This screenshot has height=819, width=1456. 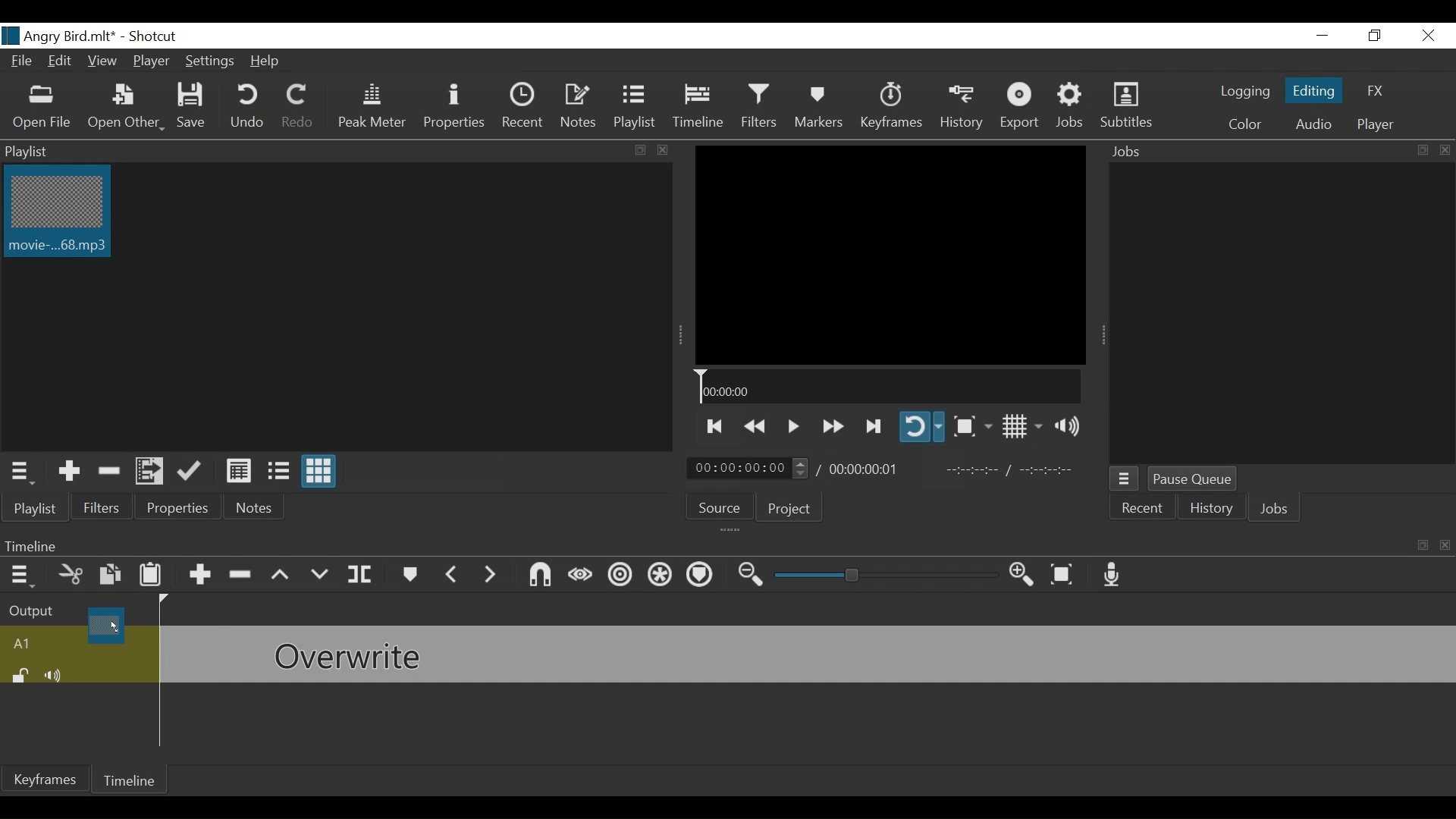 I want to click on Overwrite, so click(x=321, y=573).